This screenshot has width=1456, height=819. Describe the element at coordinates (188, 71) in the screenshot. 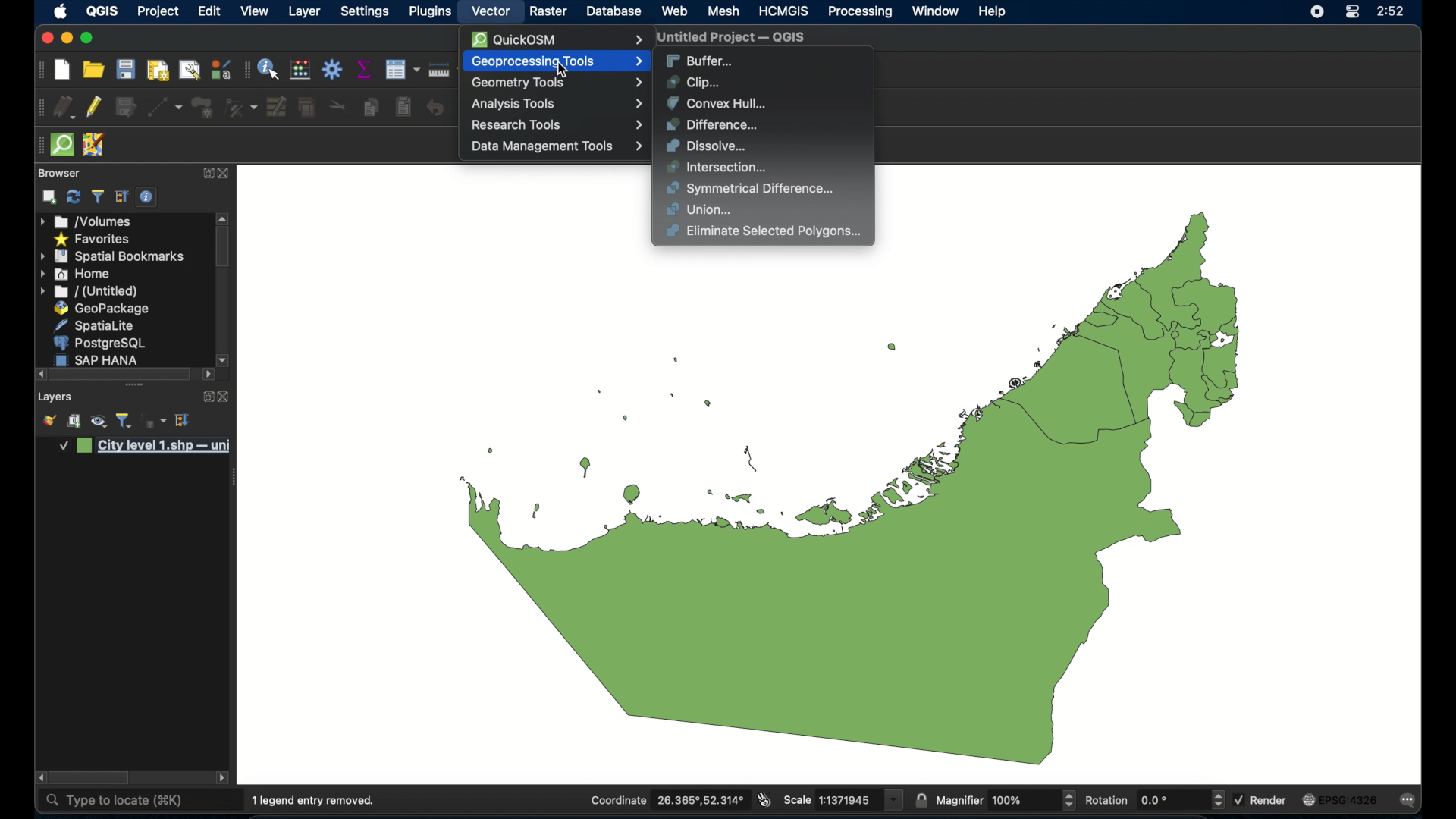

I see `open layout manager` at that location.